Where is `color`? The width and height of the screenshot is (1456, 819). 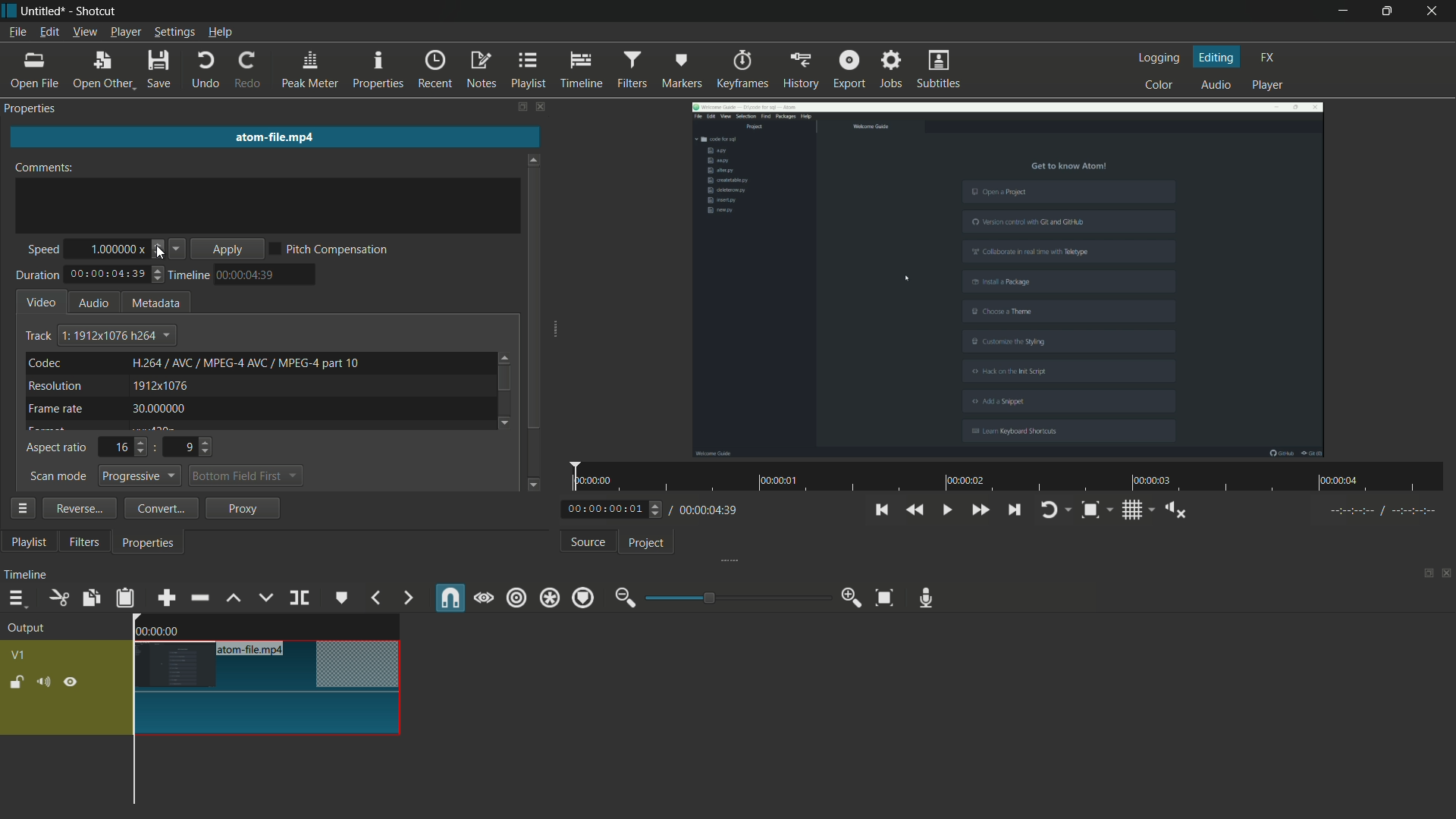
color is located at coordinates (1162, 85).